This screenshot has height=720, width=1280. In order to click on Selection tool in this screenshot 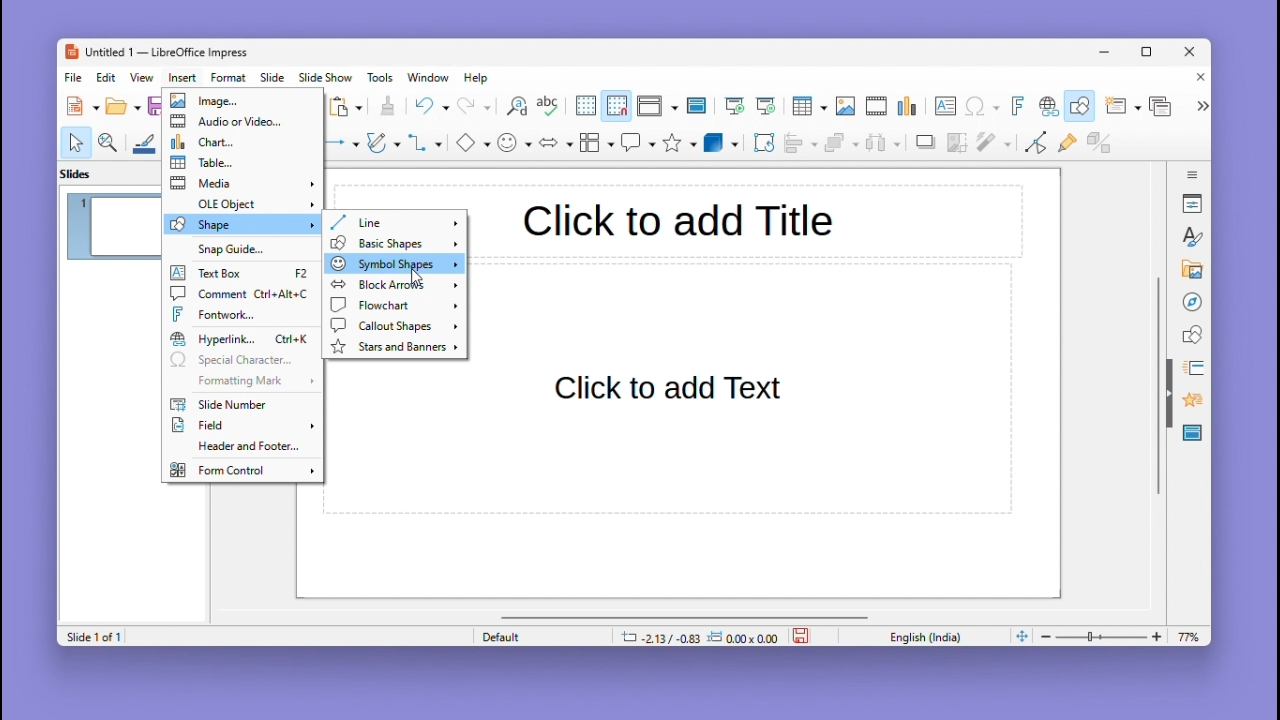, I will do `click(75, 142)`.